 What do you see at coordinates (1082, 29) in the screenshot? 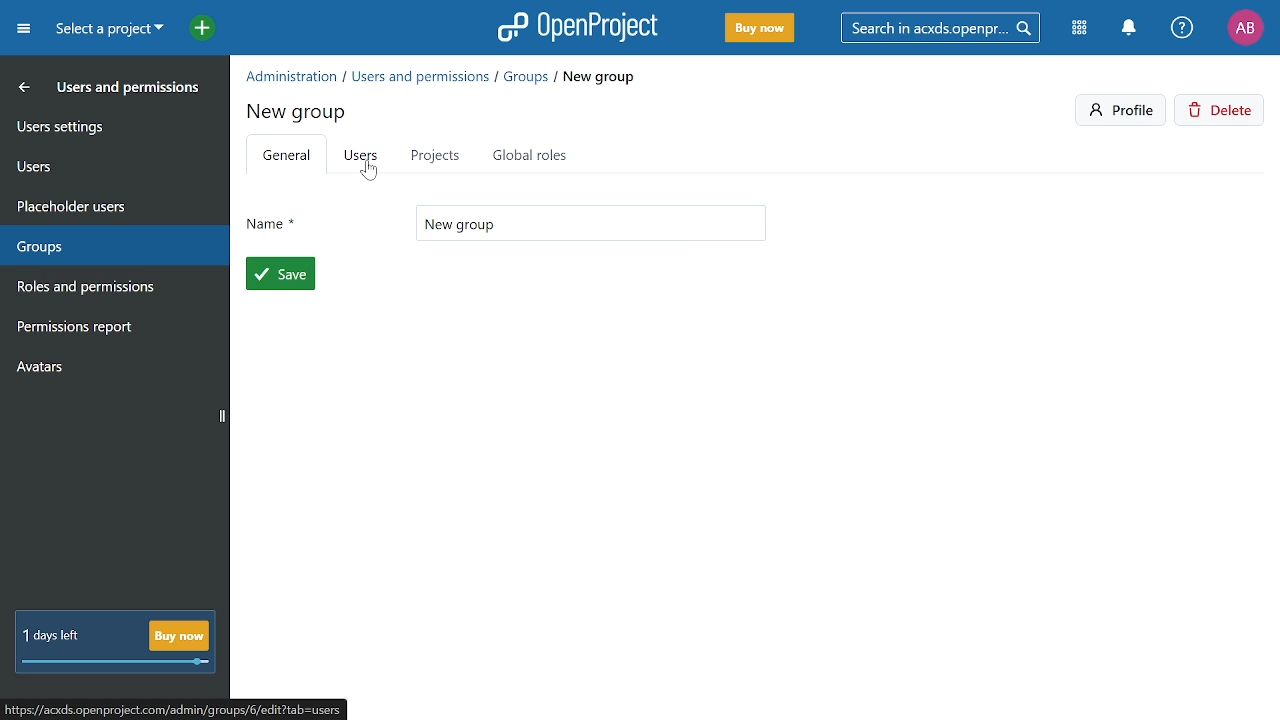
I see `Modules` at bounding box center [1082, 29].